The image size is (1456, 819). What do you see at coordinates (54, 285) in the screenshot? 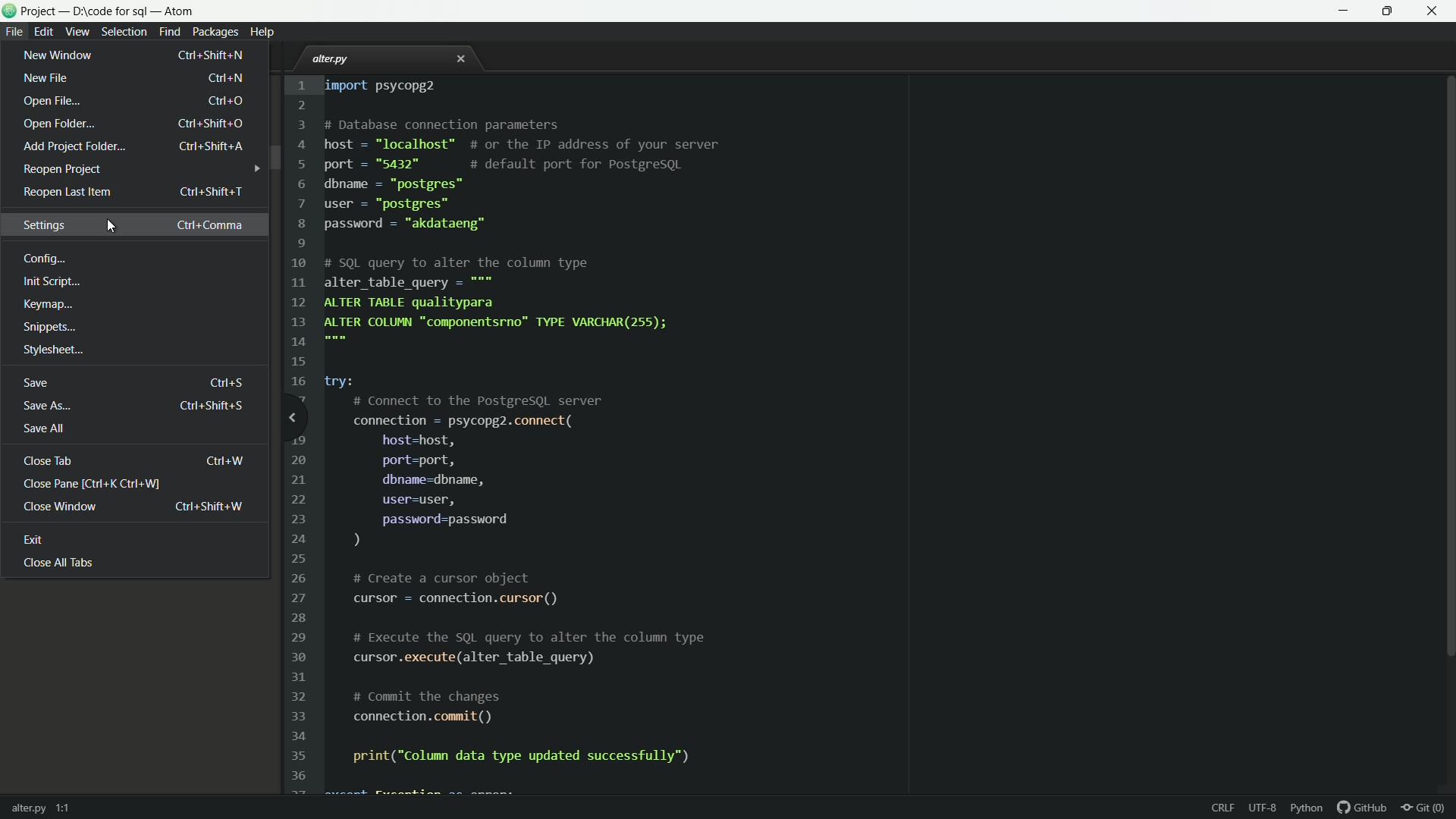
I see `init script` at bounding box center [54, 285].